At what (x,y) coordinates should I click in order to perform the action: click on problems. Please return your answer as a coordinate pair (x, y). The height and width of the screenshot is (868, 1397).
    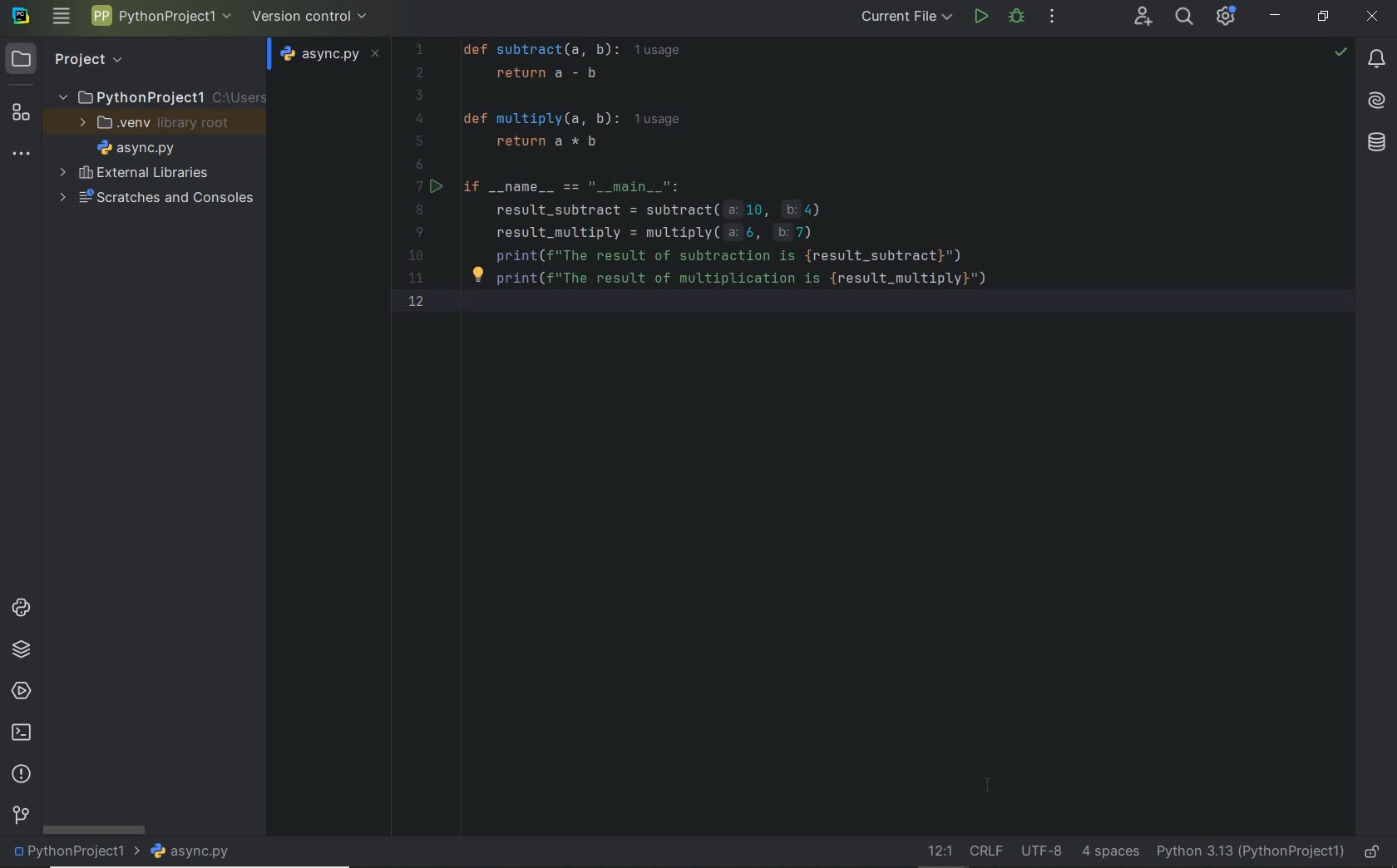
    Looking at the image, I should click on (21, 775).